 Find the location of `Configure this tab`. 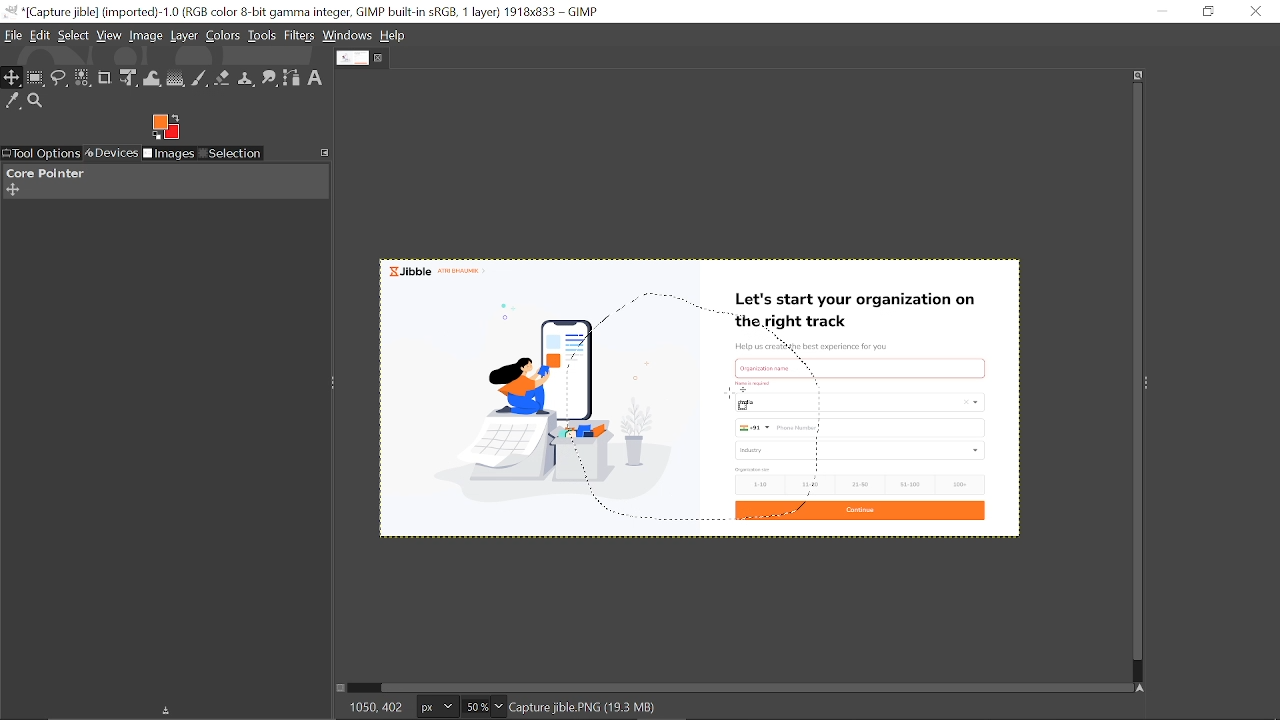

Configure this tab is located at coordinates (326, 151).